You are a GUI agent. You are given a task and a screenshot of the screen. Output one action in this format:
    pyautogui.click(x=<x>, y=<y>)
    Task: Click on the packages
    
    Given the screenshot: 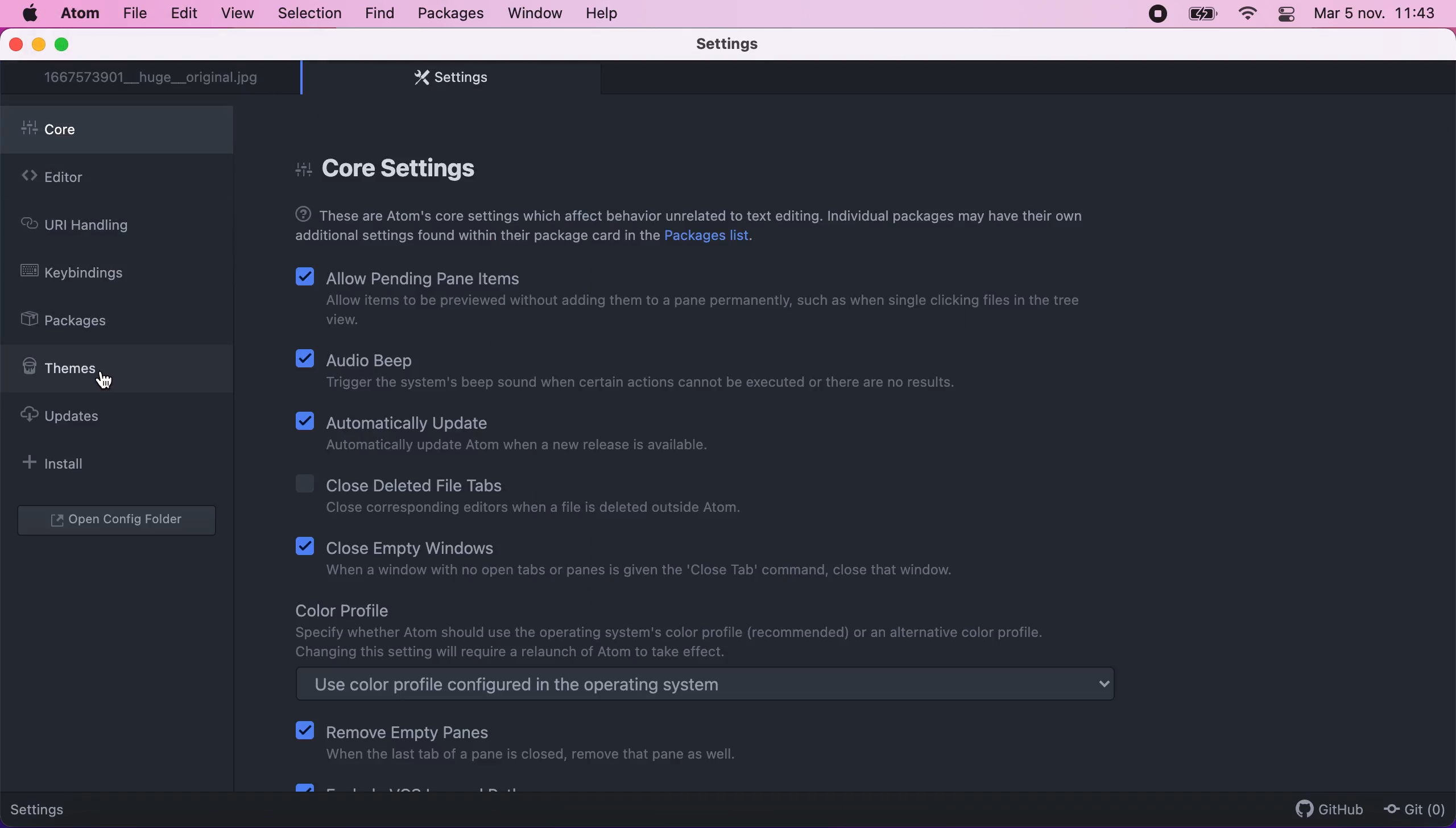 What is the action you would take?
    pyautogui.click(x=80, y=322)
    